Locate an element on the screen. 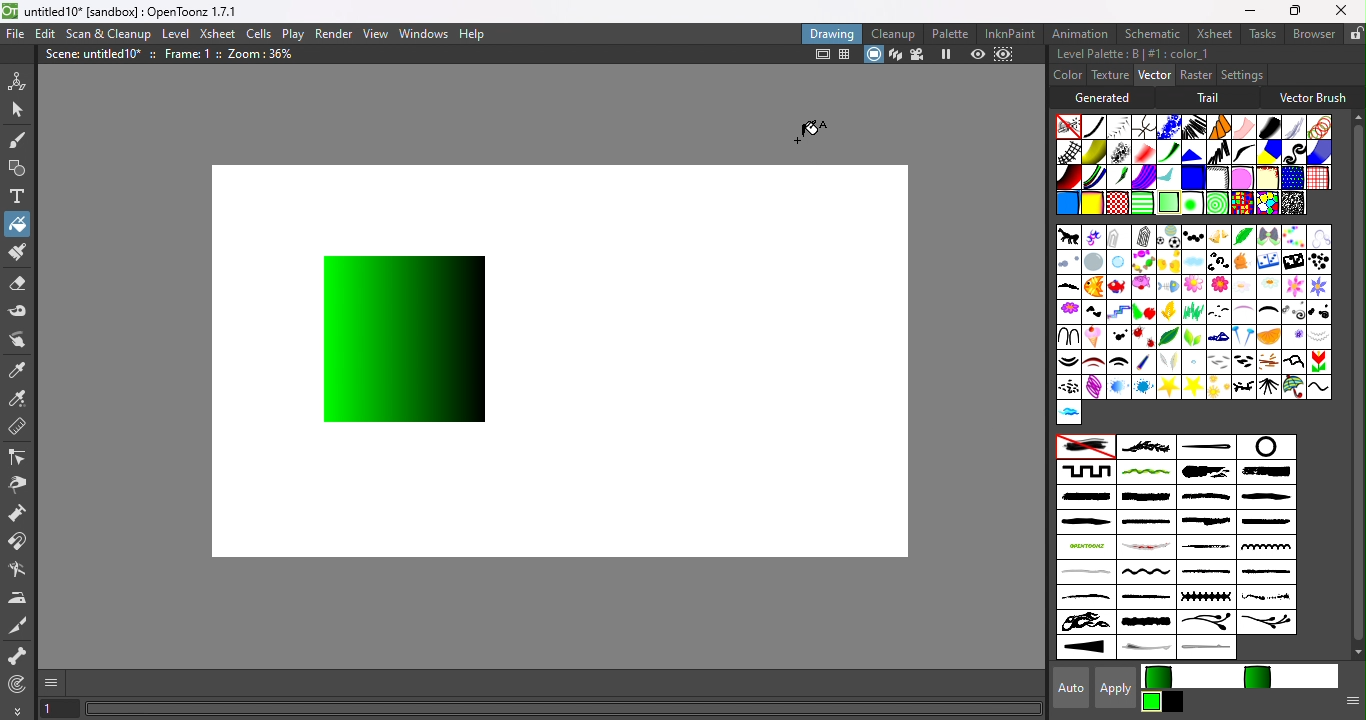 Image resolution: width=1366 pixels, height=720 pixels. Jagged is located at coordinates (1193, 151).